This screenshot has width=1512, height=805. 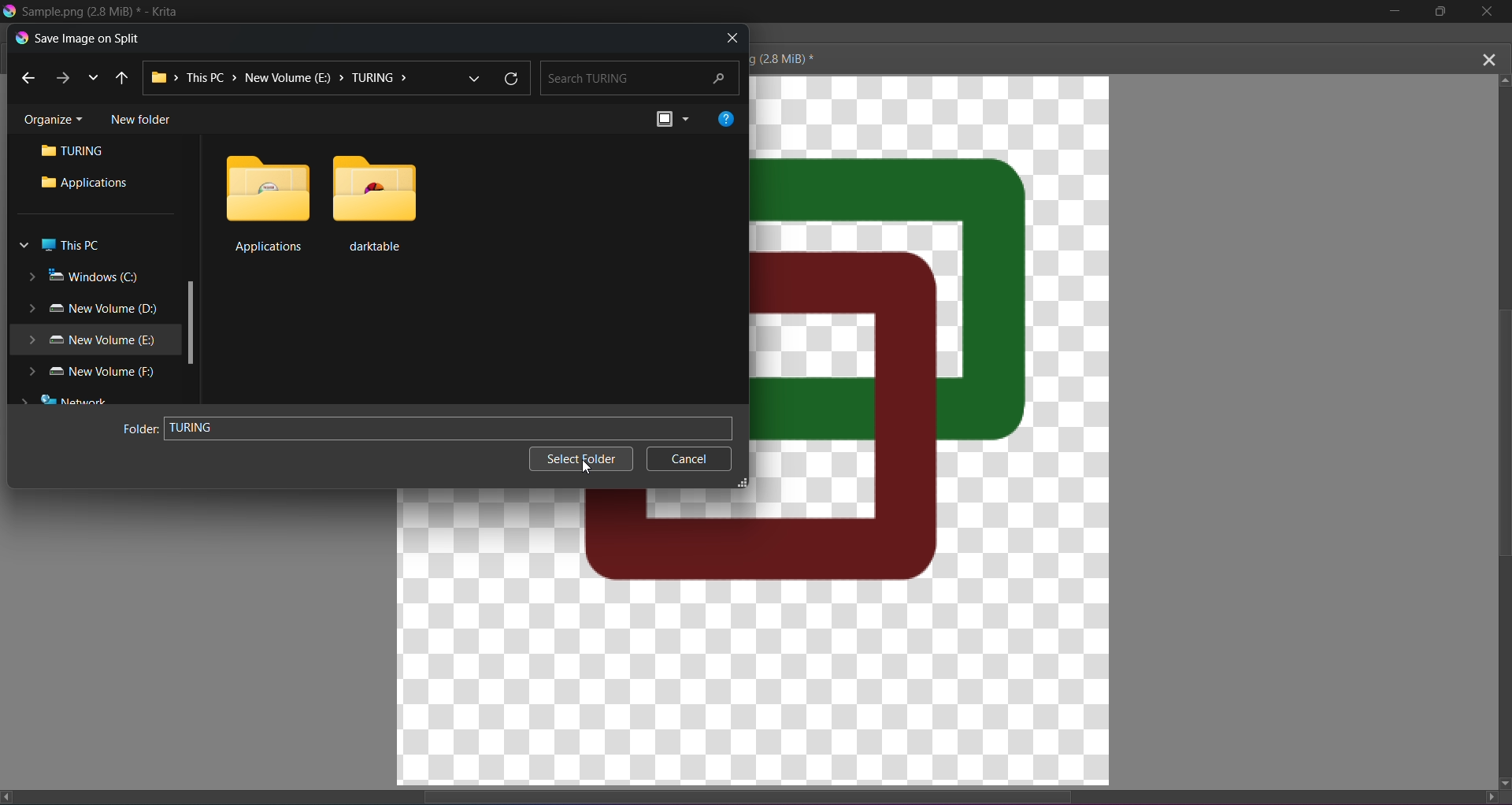 What do you see at coordinates (1485, 796) in the screenshot?
I see `Scroll right` at bounding box center [1485, 796].